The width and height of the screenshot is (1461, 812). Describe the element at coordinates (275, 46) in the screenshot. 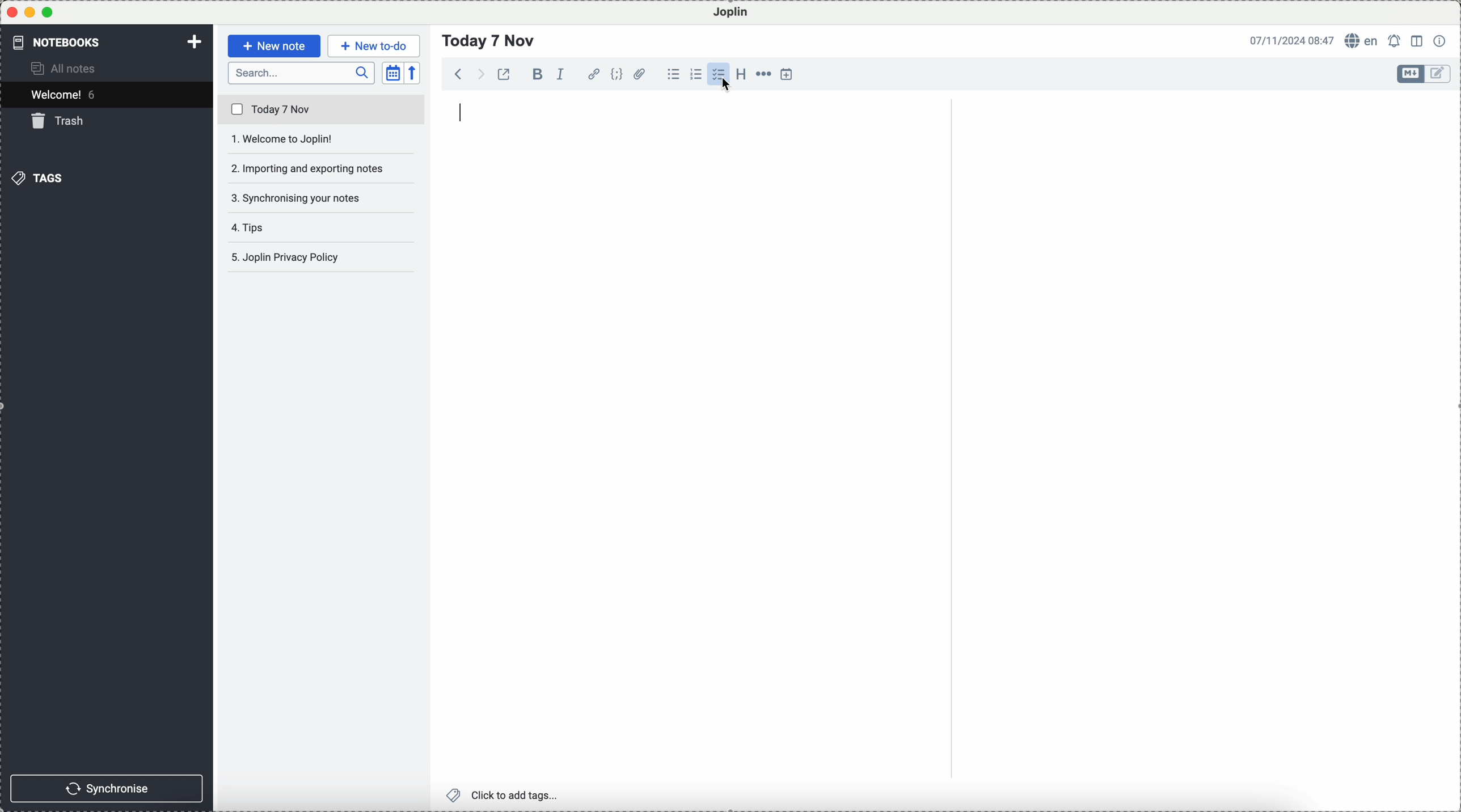

I see `new note button` at that location.